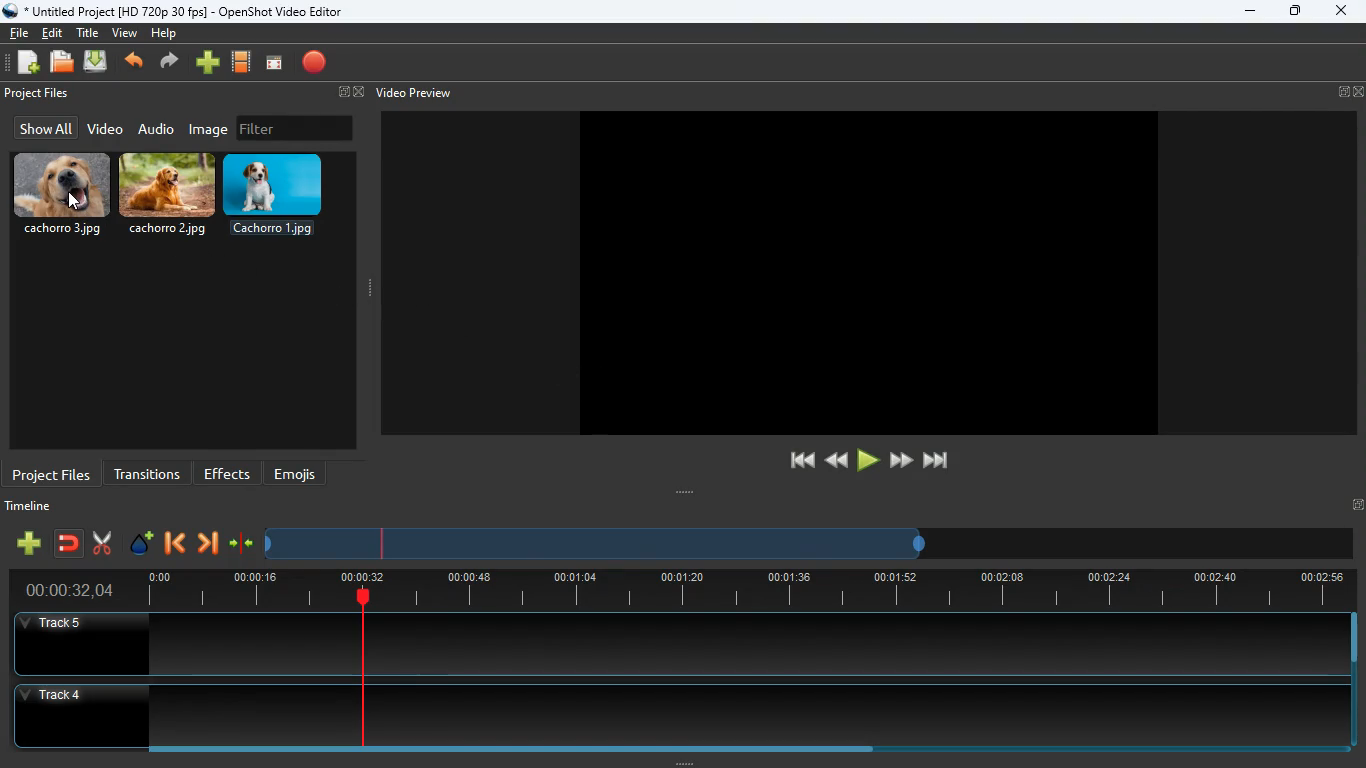 The image size is (1366, 768). Describe the element at coordinates (656, 644) in the screenshot. I see `track` at that location.